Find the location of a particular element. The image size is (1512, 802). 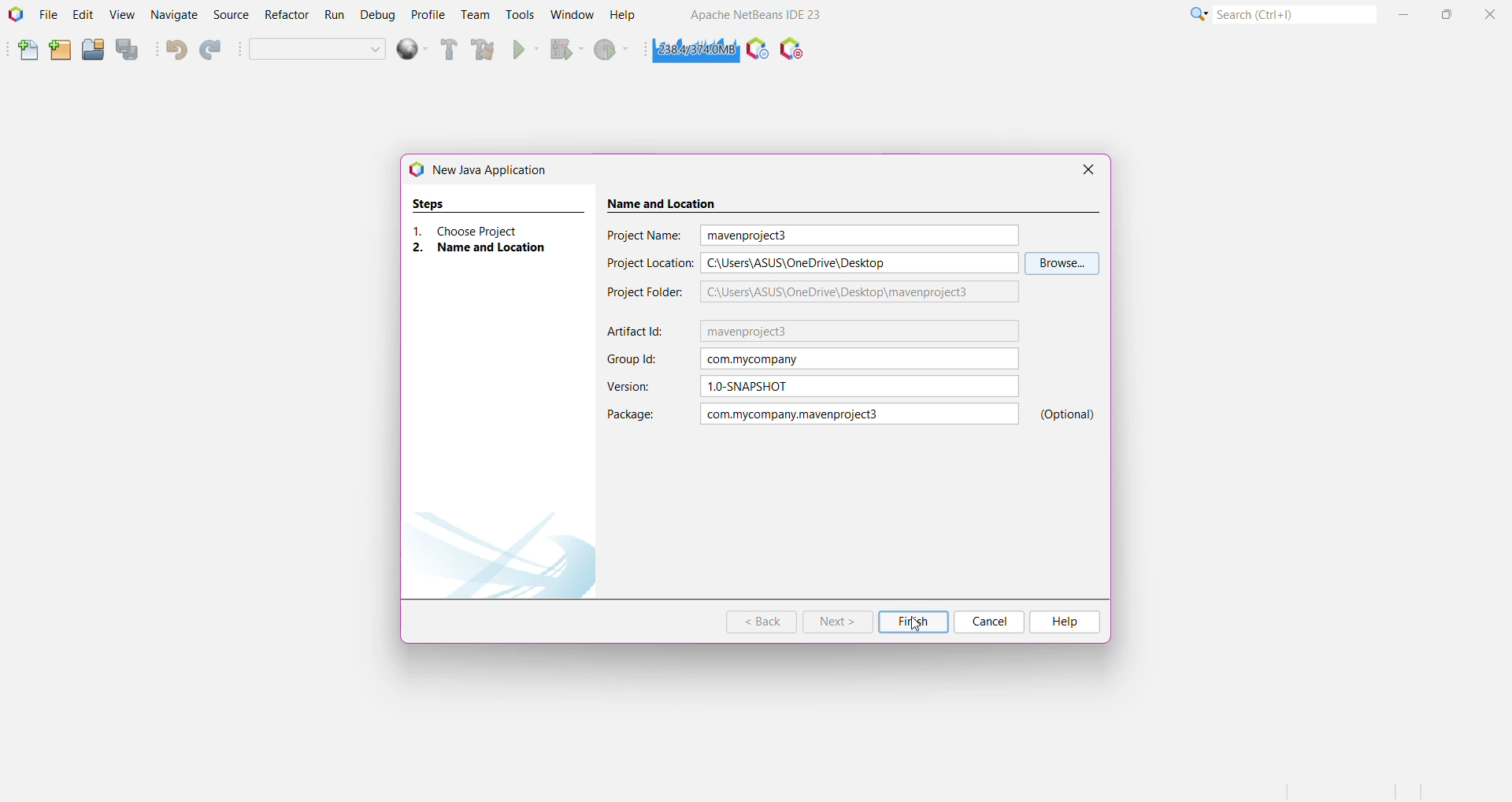

New Project is located at coordinates (59, 51).